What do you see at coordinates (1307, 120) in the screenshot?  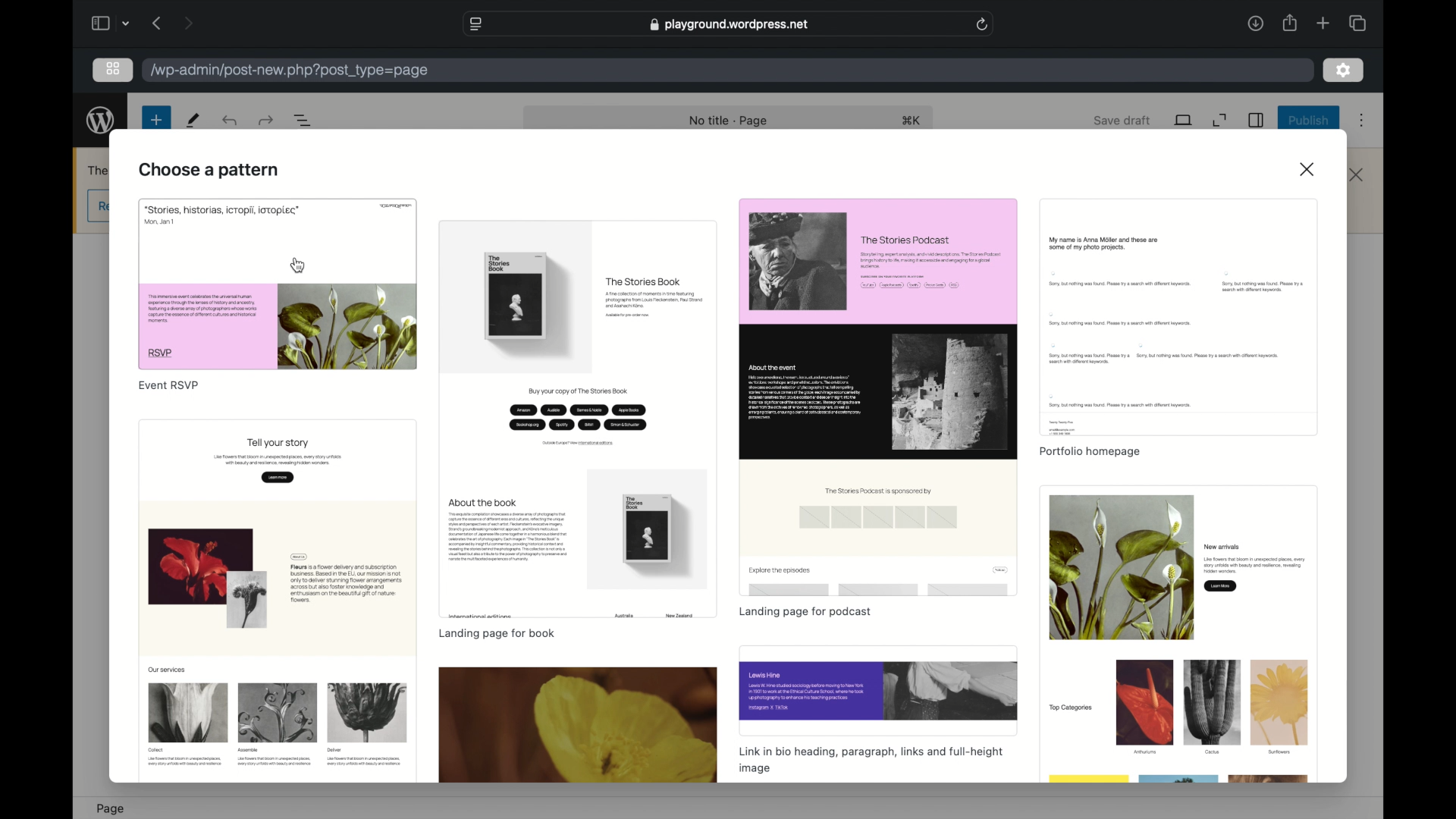 I see `publish` at bounding box center [1307, 120].